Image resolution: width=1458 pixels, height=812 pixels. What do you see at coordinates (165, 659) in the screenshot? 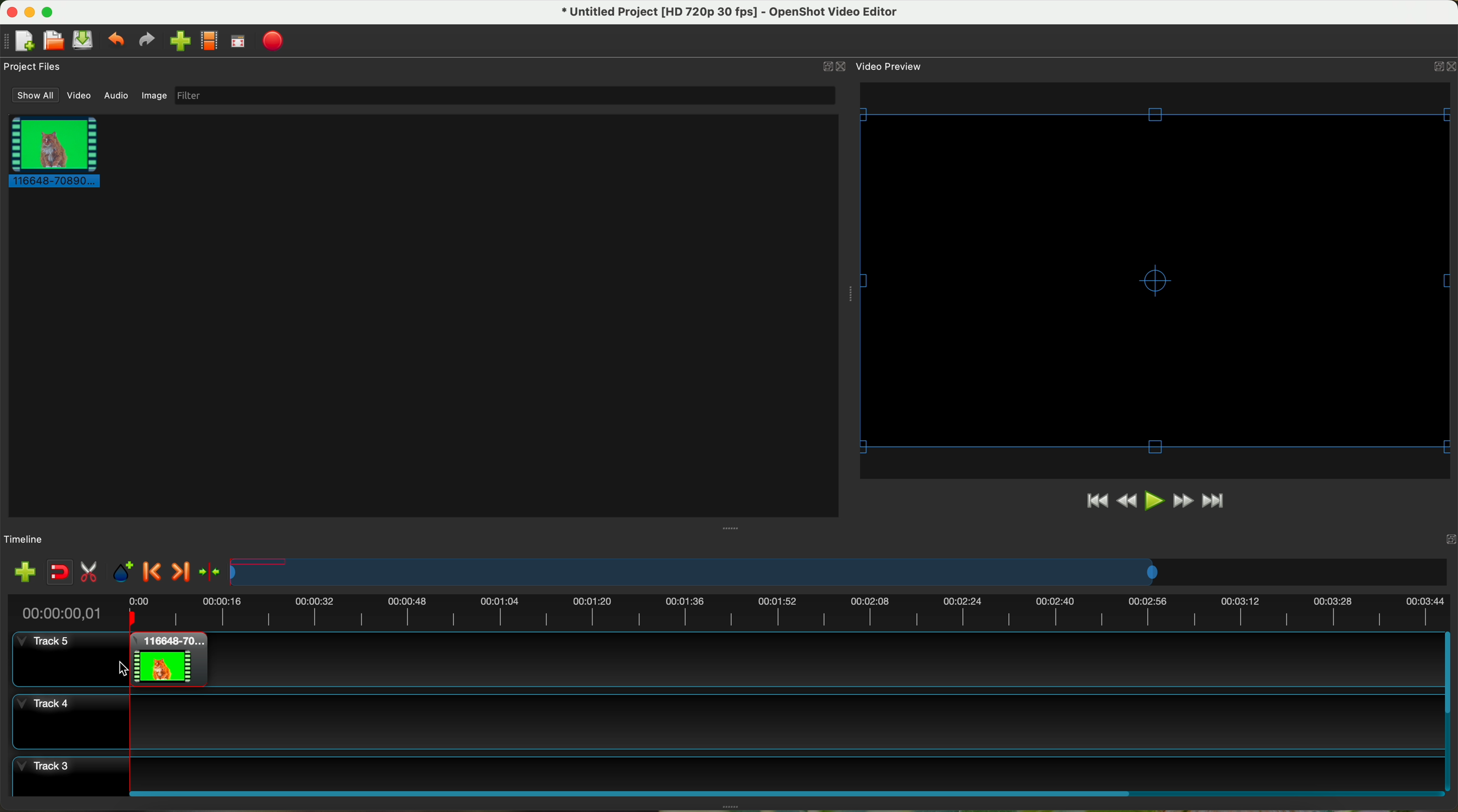
I see `drag video to track 5` at bounding box center [165, 659].